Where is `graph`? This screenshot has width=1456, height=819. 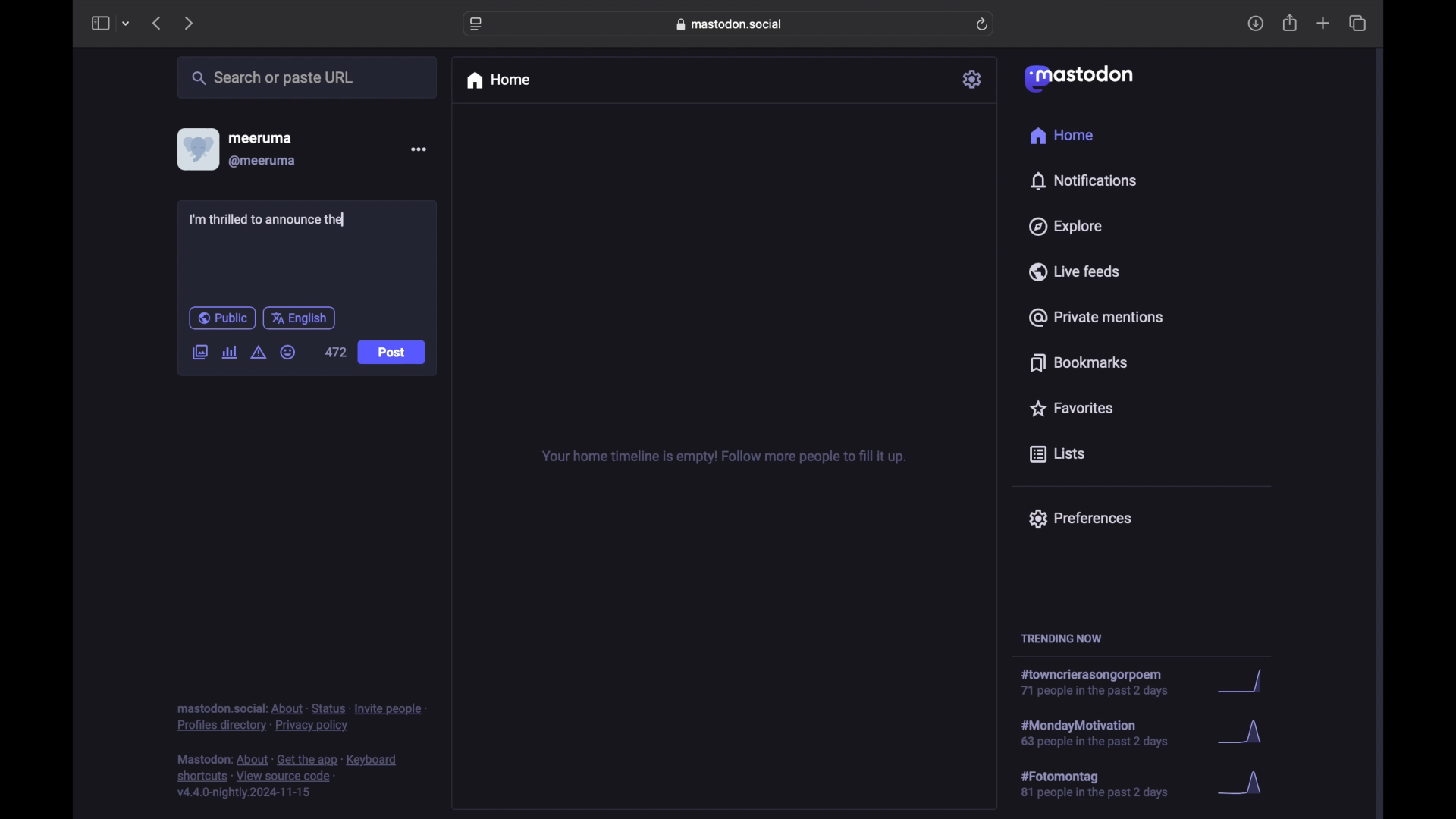 graph is located at coordinates (1244, 734).